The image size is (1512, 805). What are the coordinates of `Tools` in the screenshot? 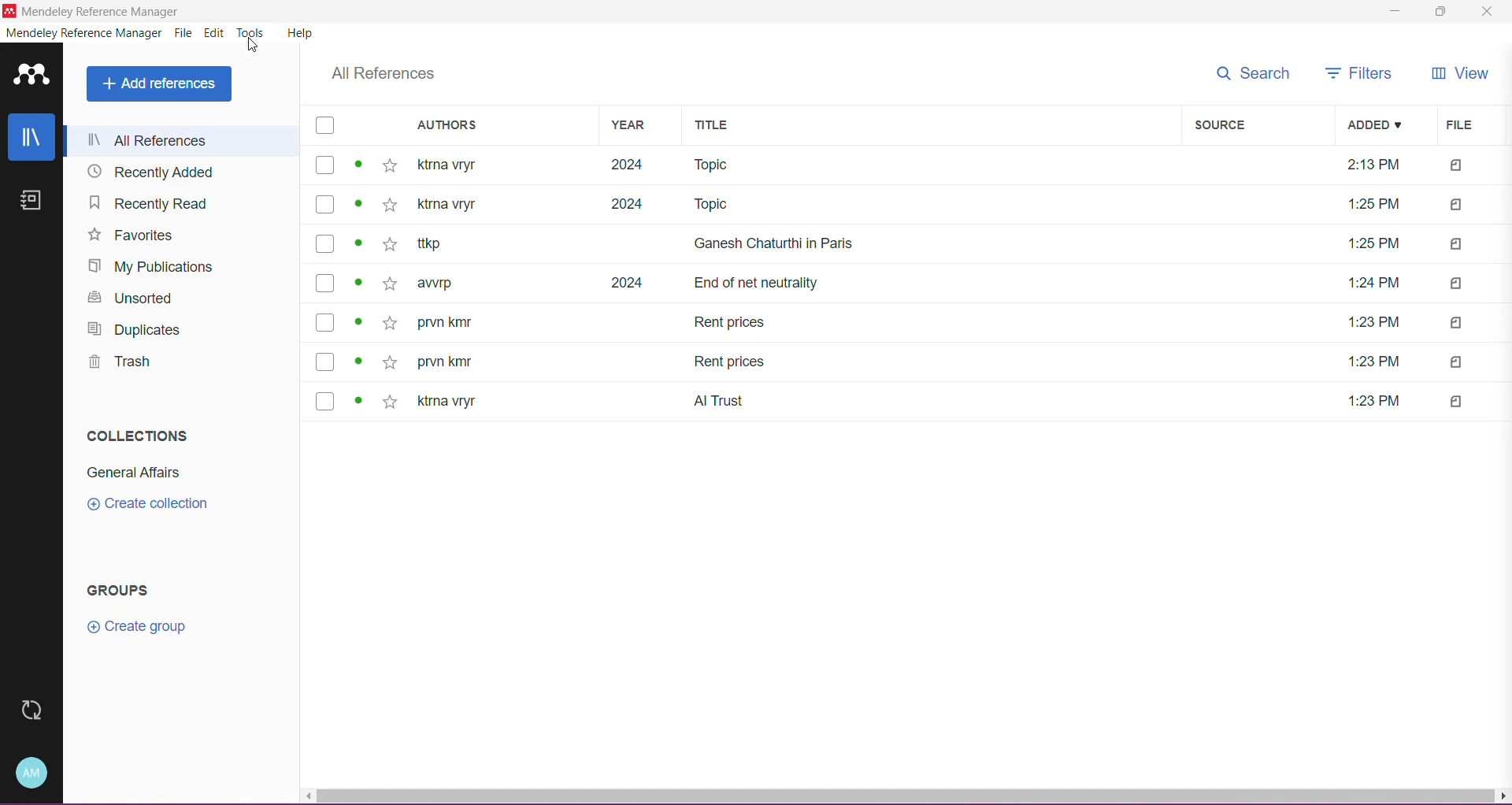 It's located at (251, 32).